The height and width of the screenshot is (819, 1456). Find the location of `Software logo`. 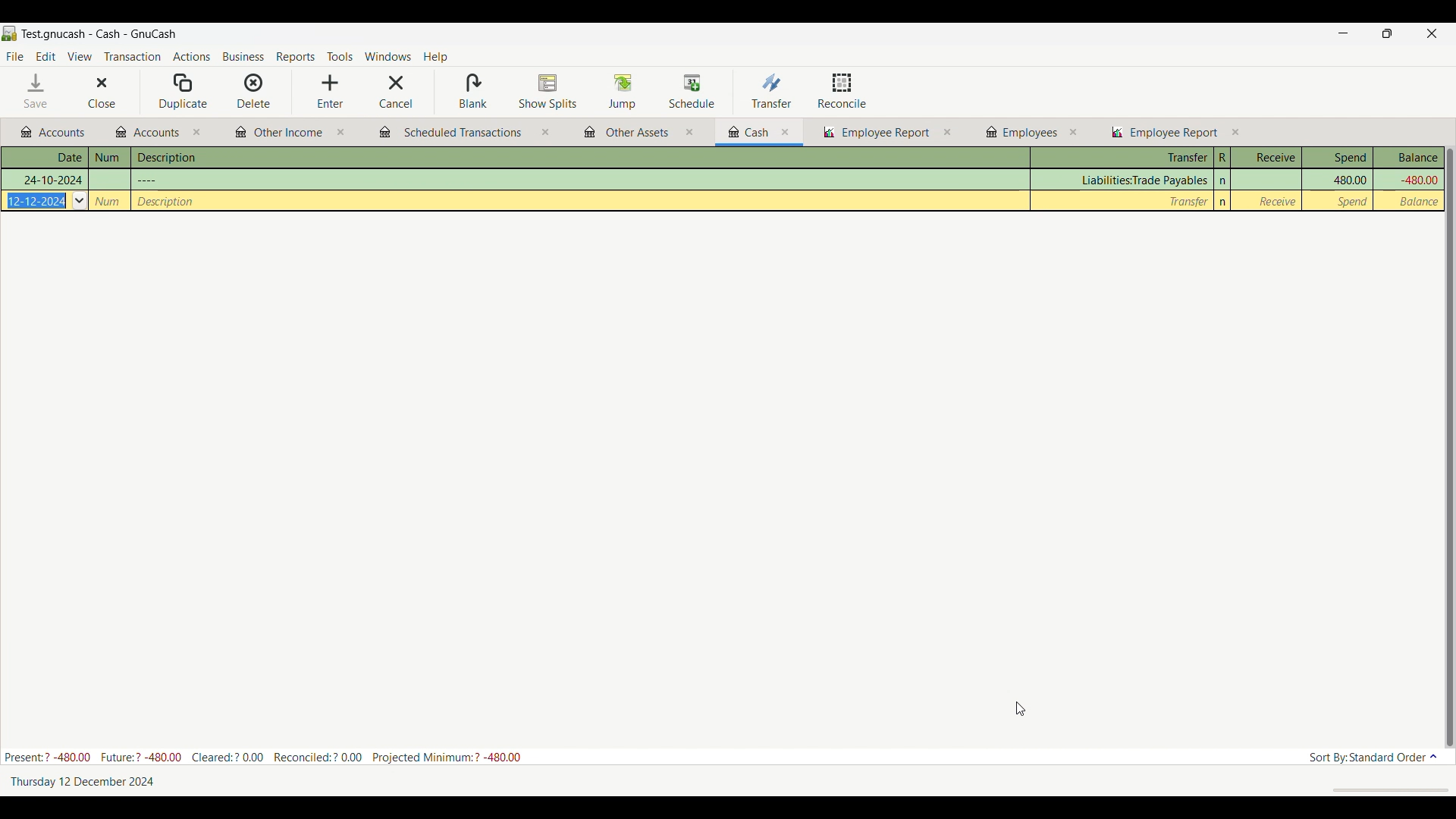

Software logo is located at coordinates (9, 33).